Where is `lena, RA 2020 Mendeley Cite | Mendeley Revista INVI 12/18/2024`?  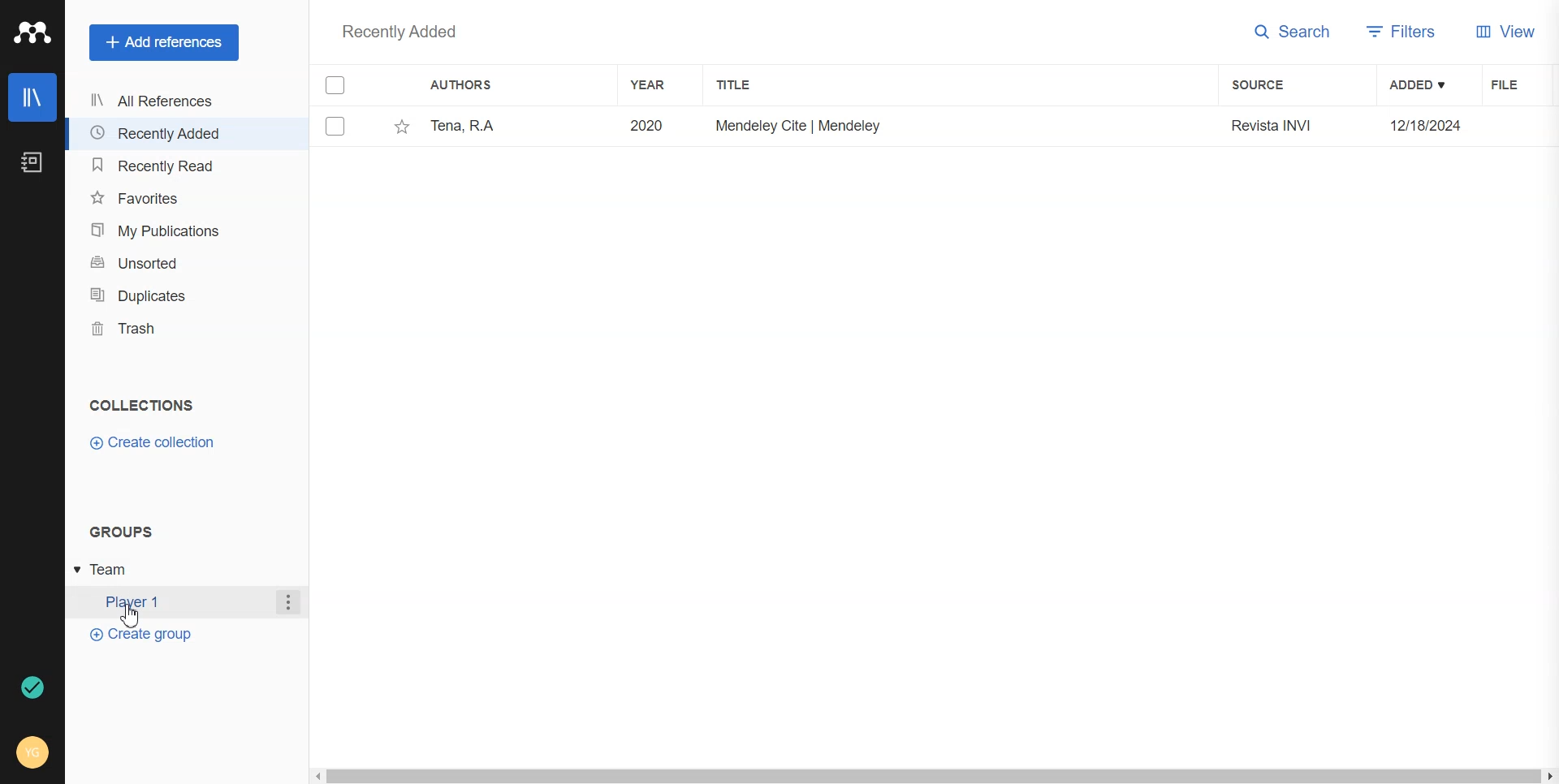 lena, RA 2020 Mendeley Cite | Mendeley Revista INVI 12/18/2024 is located at coordinates (944, 127).